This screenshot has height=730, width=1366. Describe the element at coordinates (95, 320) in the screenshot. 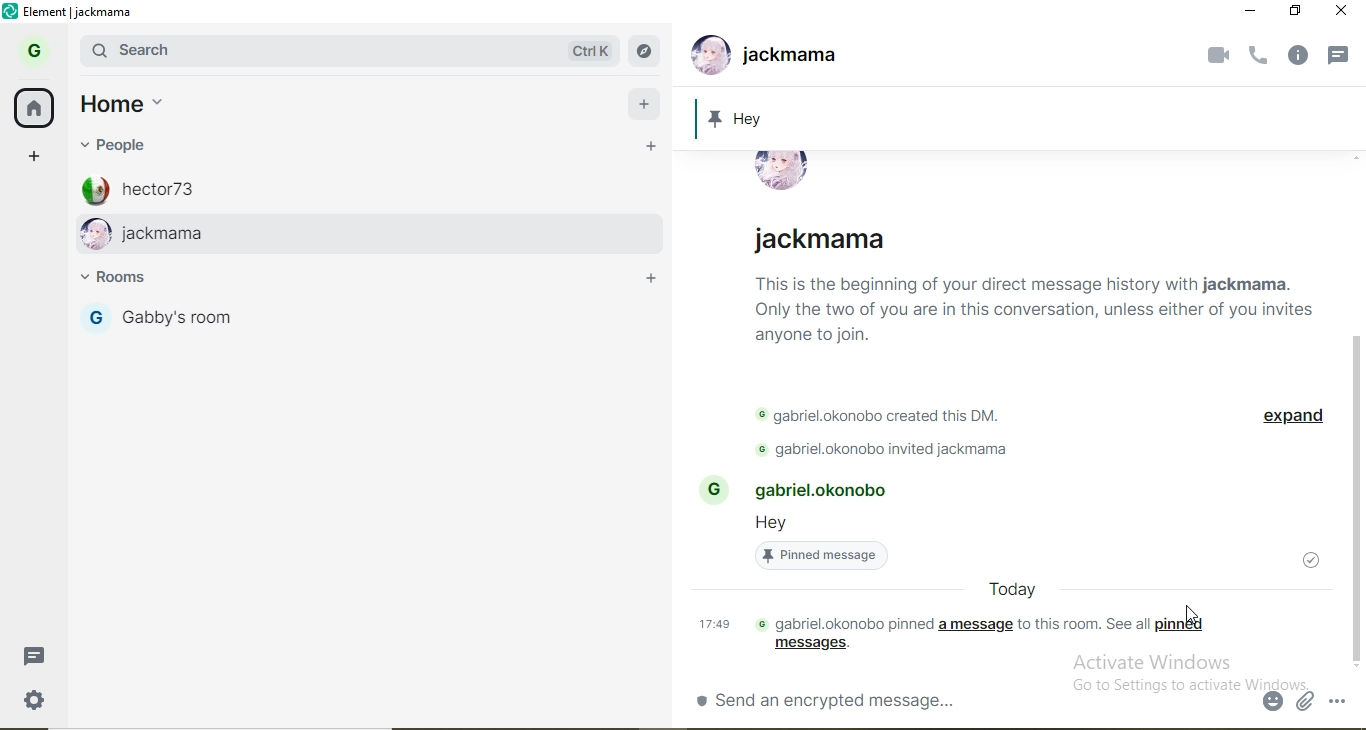

I see `profile` at that location.